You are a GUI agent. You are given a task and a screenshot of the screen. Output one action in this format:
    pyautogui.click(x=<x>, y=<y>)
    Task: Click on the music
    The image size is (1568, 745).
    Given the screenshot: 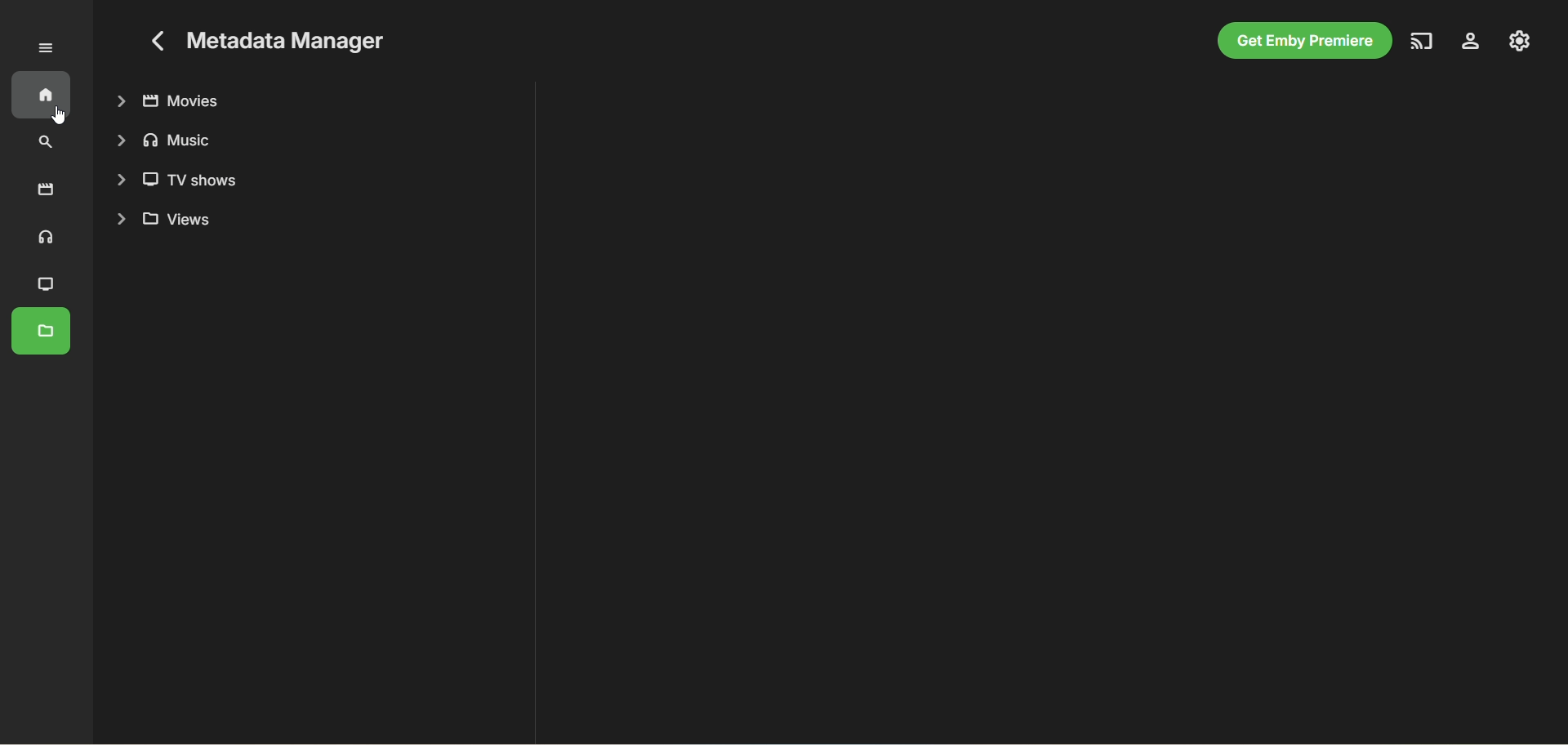 What is the action you would take?
    pyautogui.click(x=163, y=141)
    